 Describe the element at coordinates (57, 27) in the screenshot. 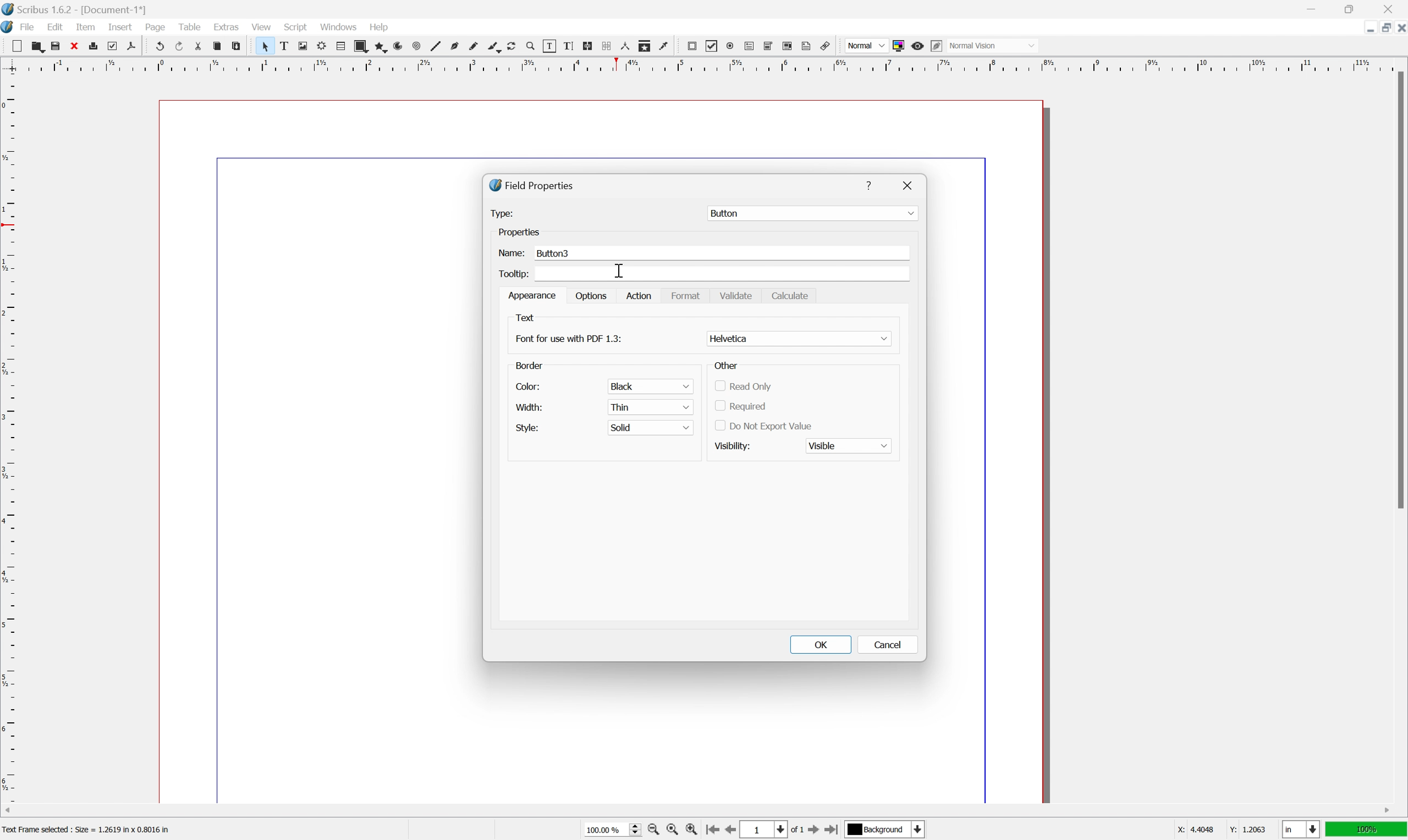

I see `edit` at that location.